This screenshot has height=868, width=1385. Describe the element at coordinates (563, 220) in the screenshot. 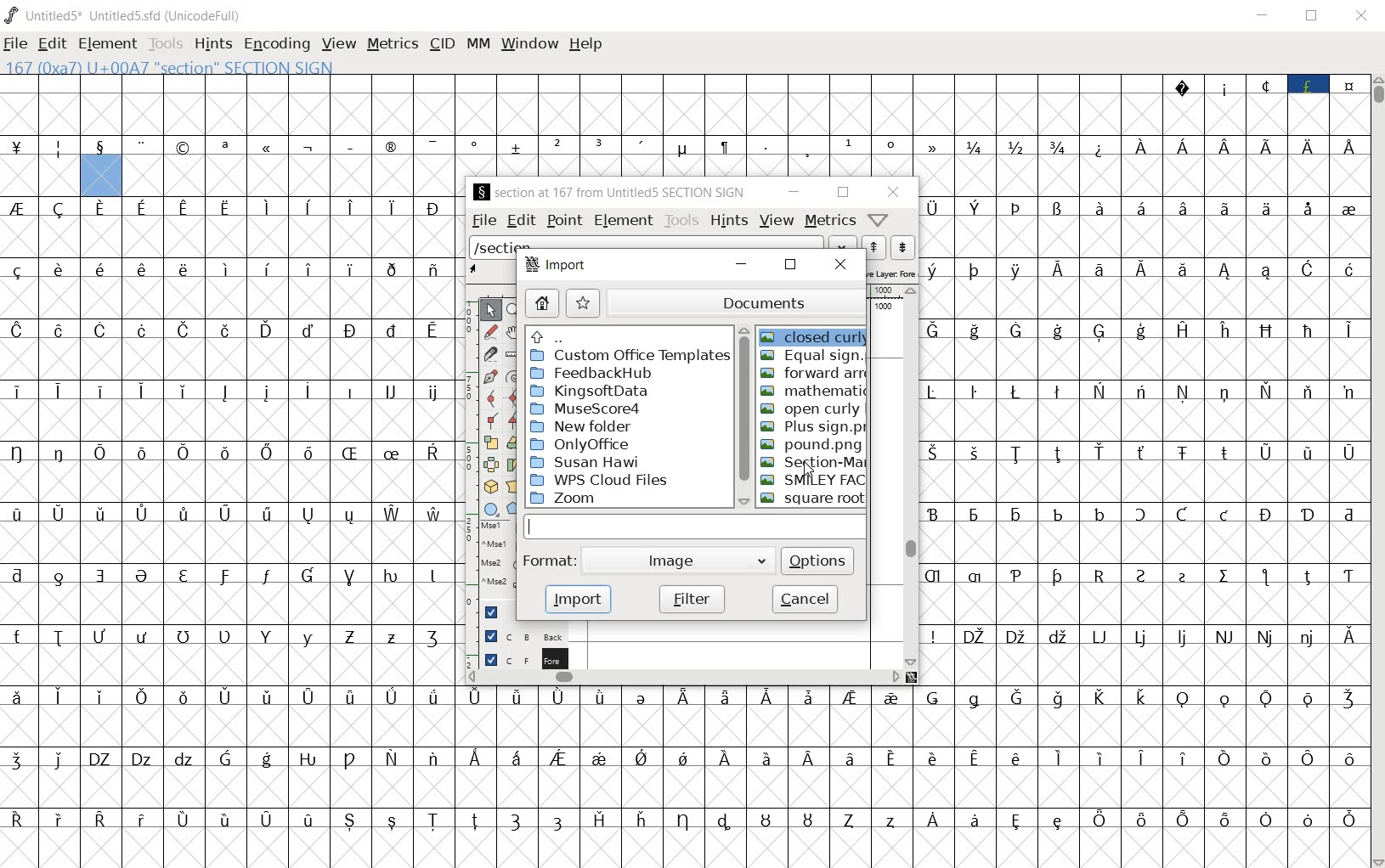

I see `point` at that location.